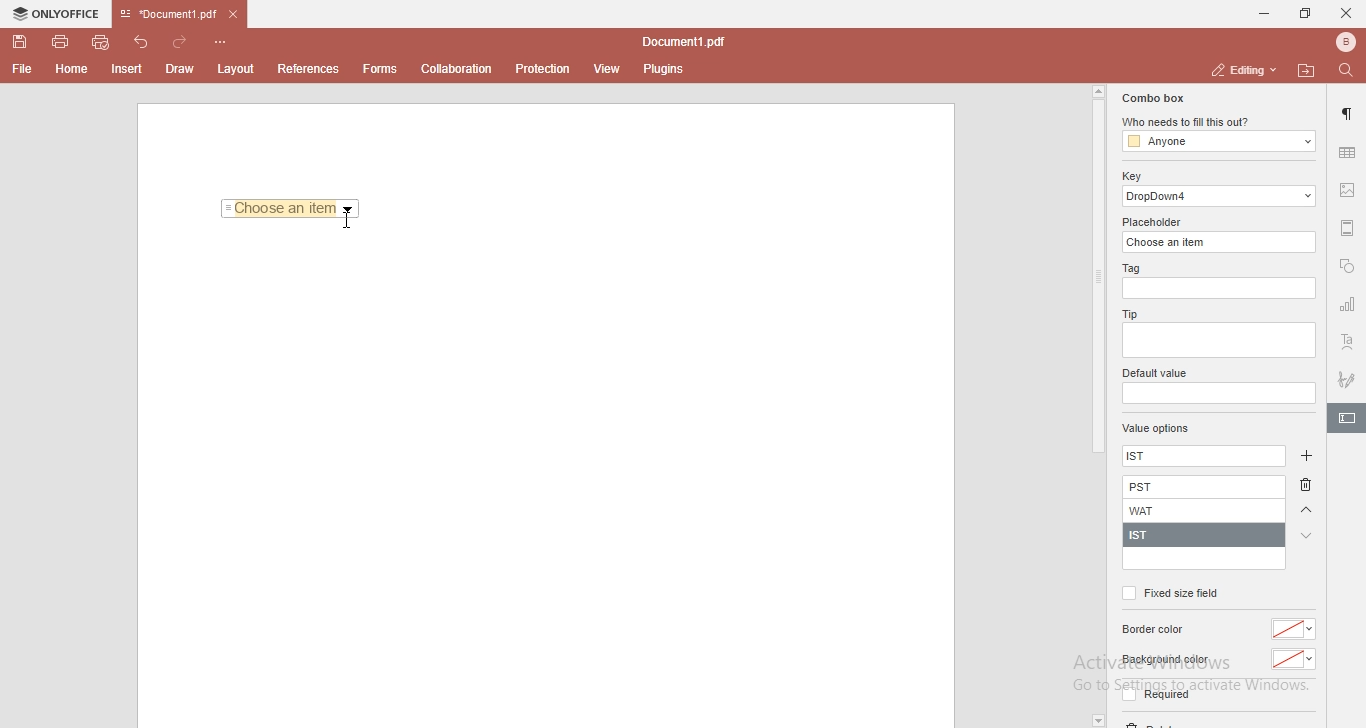 This screenshot has width=1366, height=728. I want to click on restore, so click(1304, 14).